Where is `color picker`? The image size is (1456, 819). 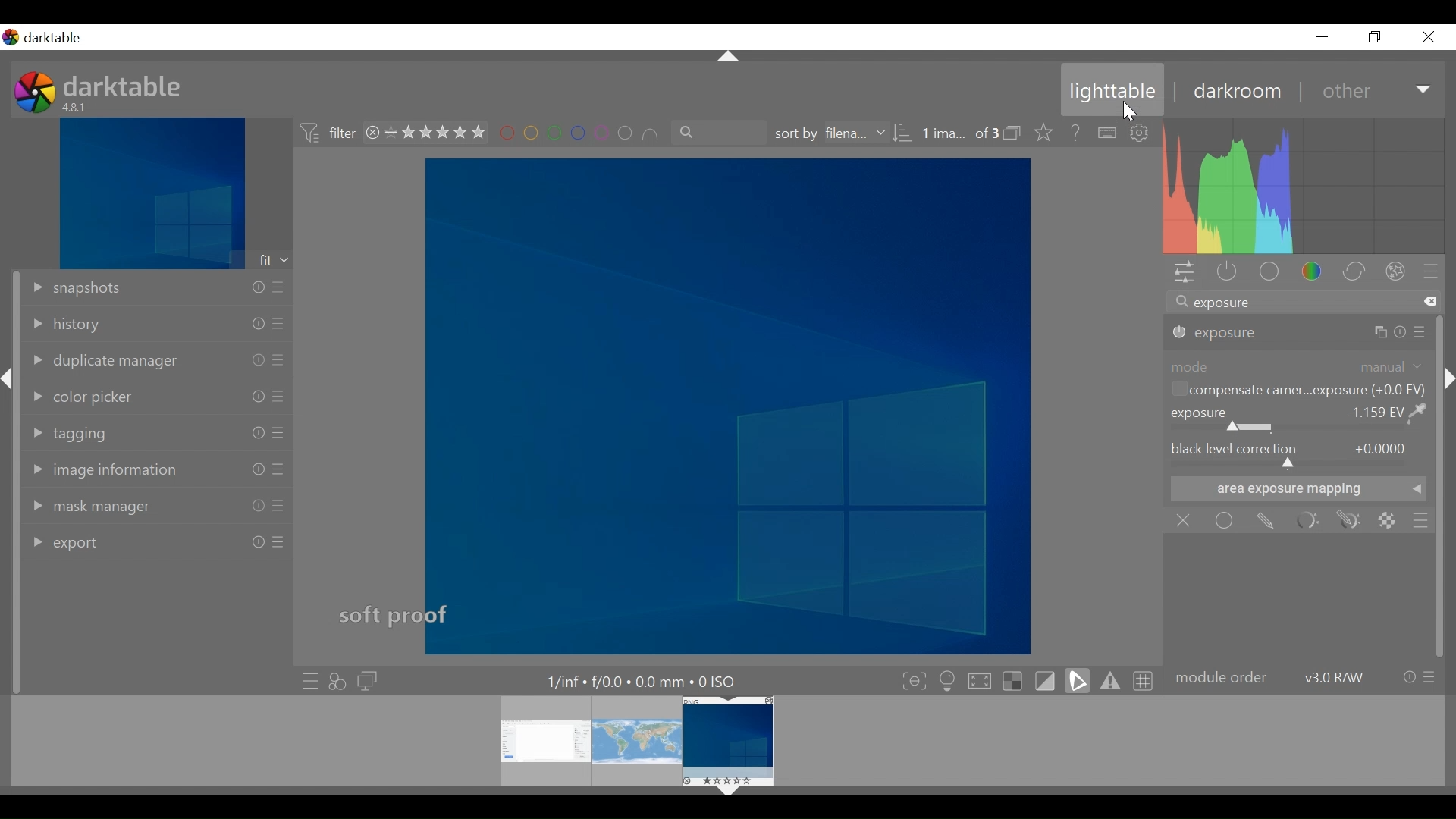 color picker is located at coordinates (81, 398).